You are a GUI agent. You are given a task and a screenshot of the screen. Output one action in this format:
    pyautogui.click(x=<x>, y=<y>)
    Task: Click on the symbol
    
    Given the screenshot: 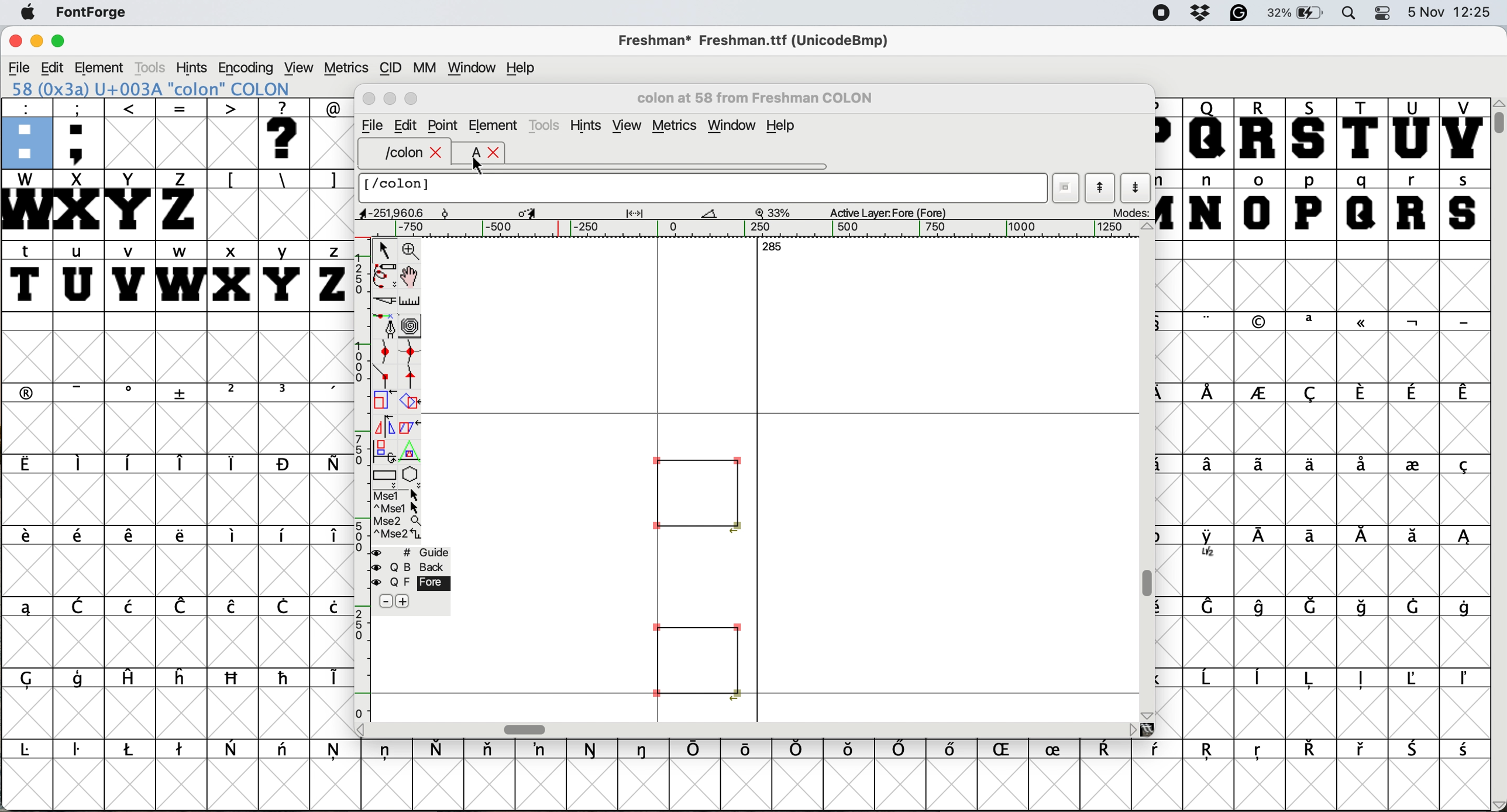 What is the action you would take?
    pyautogui.click(x=1209, y=680)
    